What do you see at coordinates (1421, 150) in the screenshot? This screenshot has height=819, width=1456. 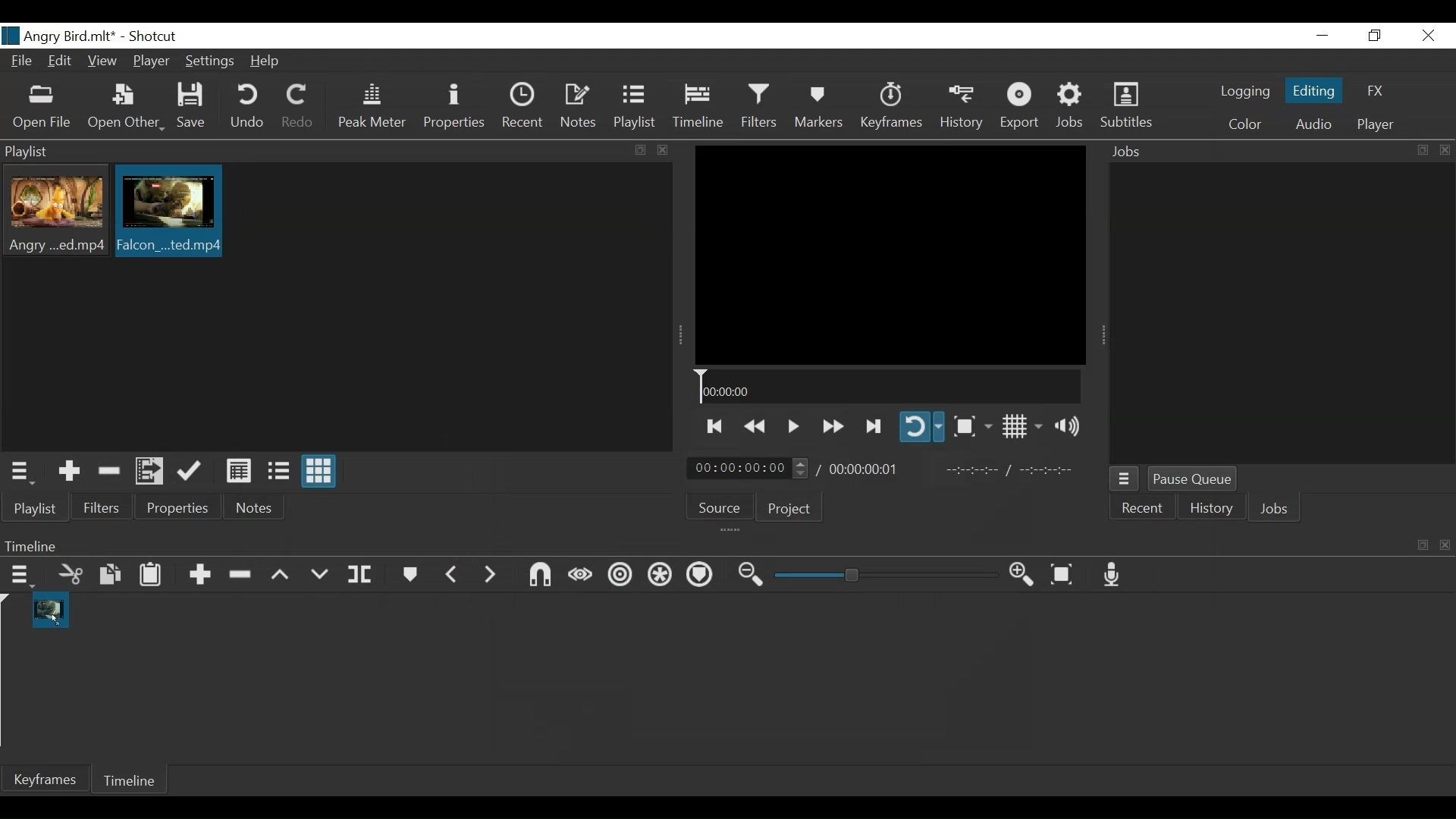 I see `copy` at bounding box center [1421, 150].